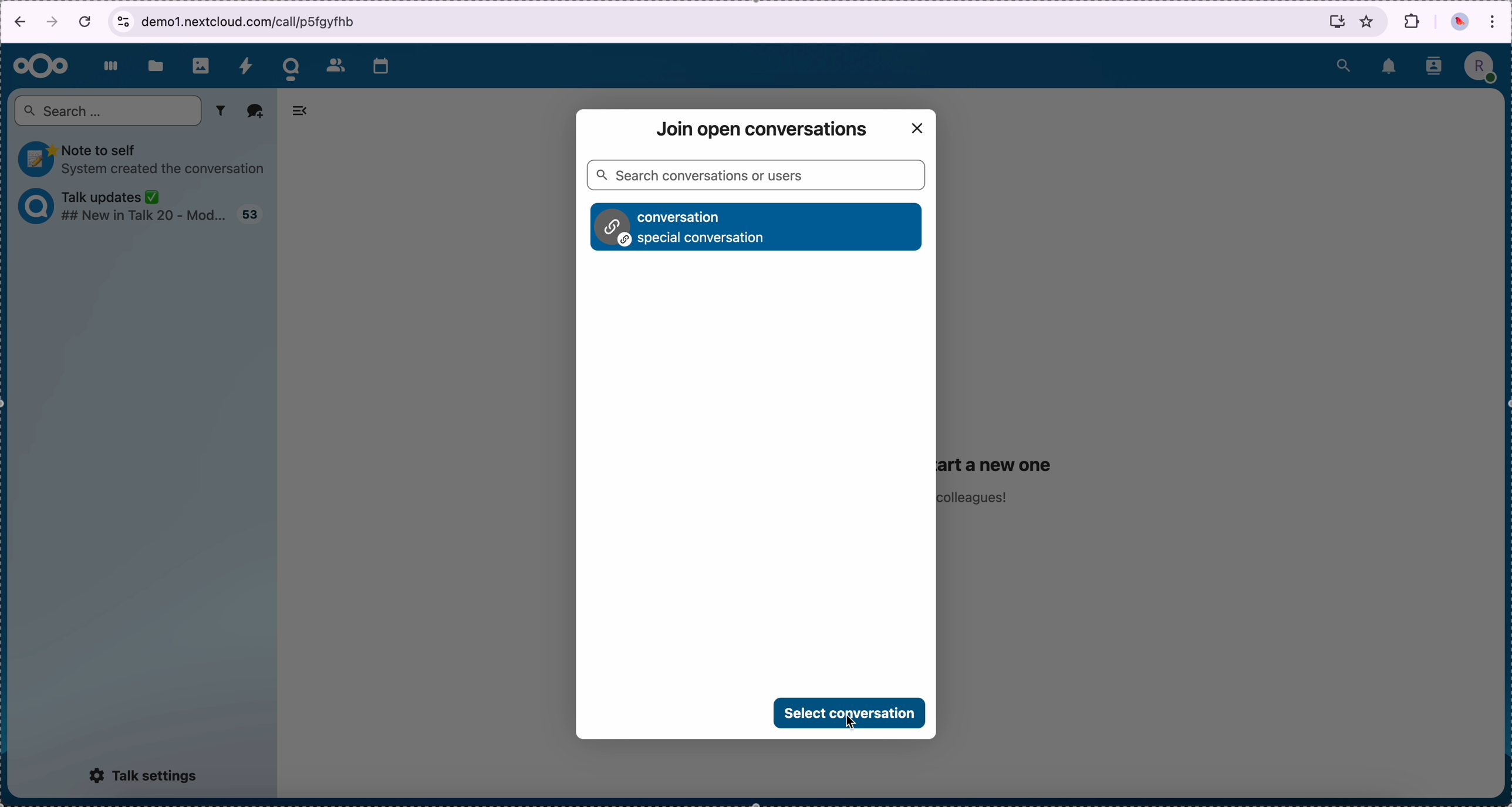 The height and width of the screenshot is (807, 1512). Describe the element at coordinates (121, 210) in the screenshot. I see `talk updates` at that location.